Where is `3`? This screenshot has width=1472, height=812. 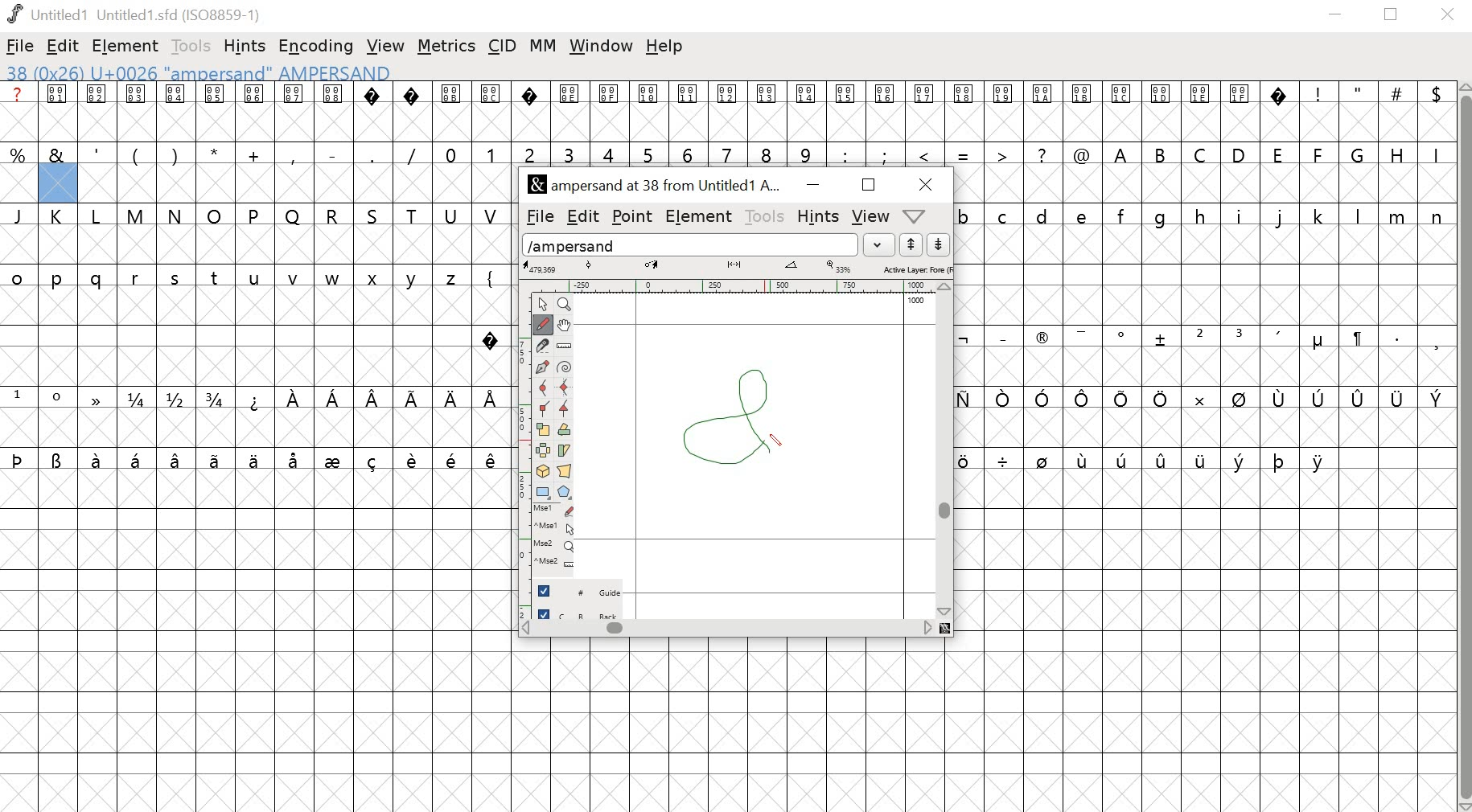 3 is located at coordinates (1241, 336).